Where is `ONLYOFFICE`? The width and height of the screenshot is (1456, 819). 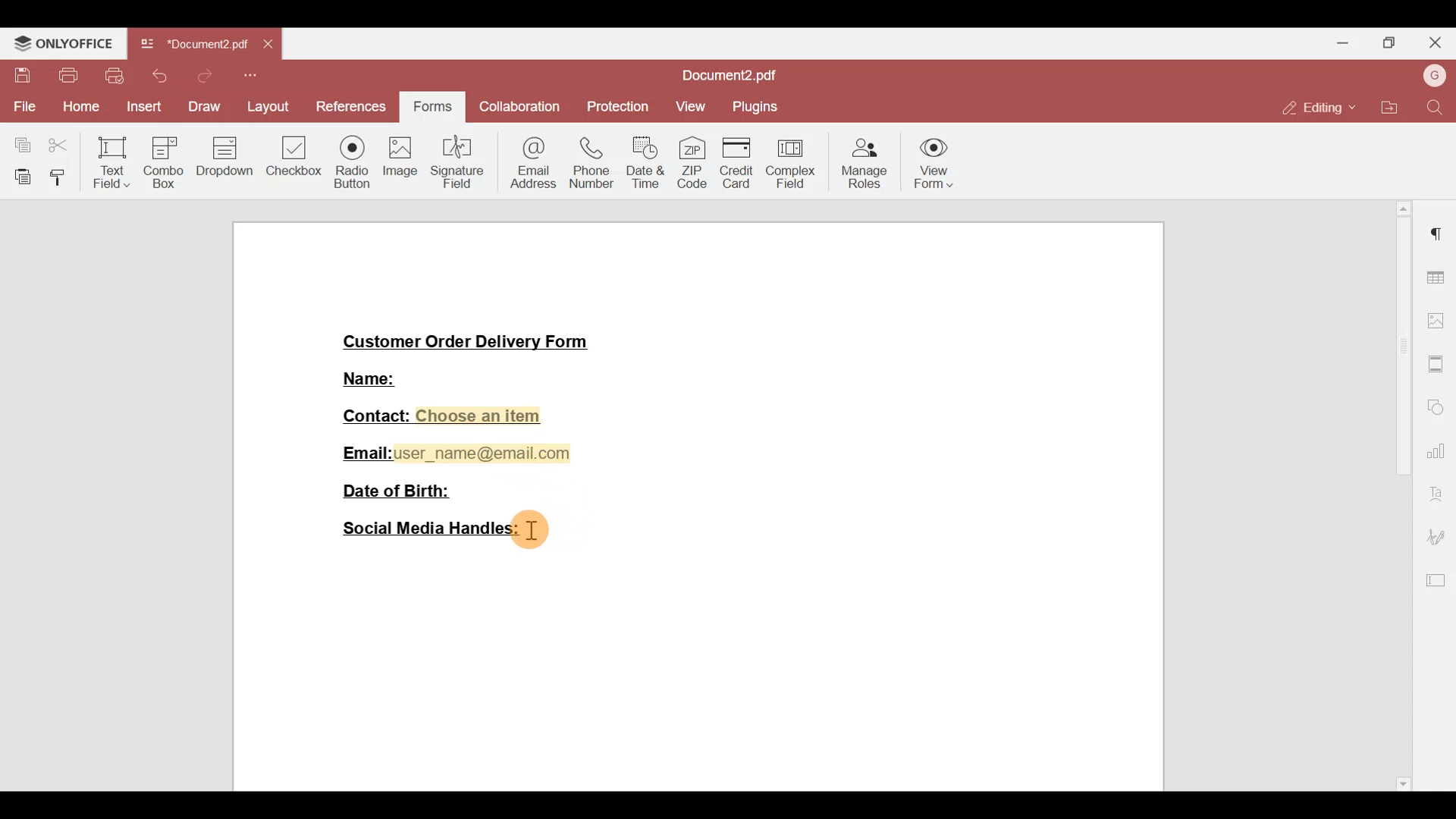
ONLYOFFICE is located at coordinates (64, 42).